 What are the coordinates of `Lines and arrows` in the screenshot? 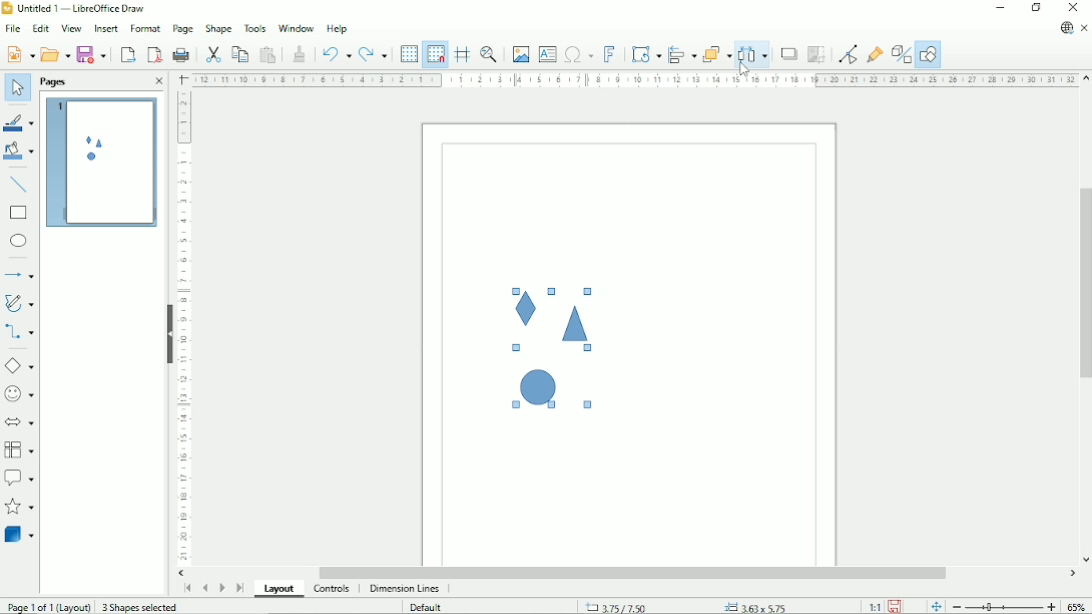 It's located at (21, 275).